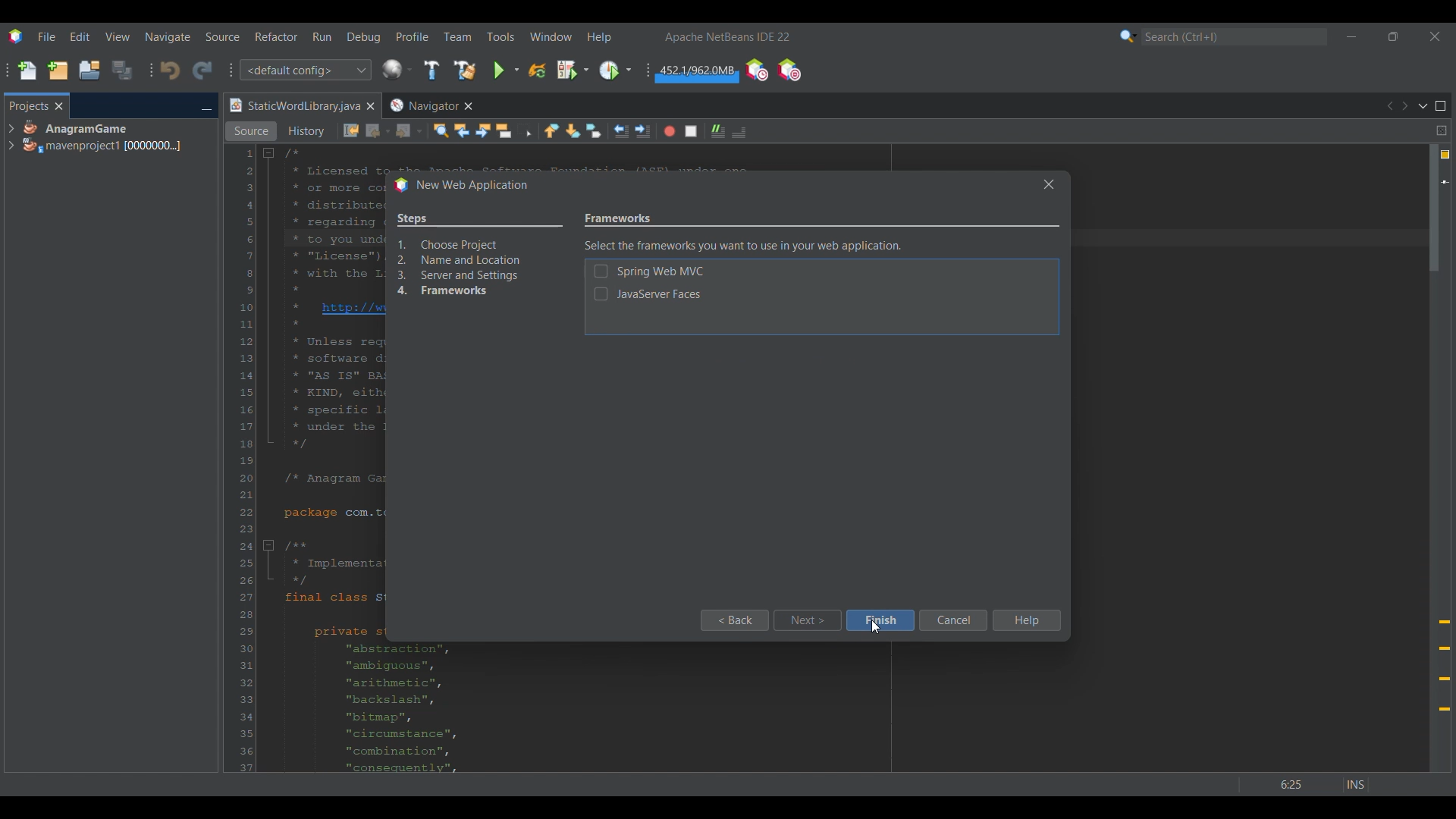 This screenshot has height=819, width=1456. Describe the element at coordinates (460, 186) in the screenshot. I see `Window title changed` at that location.